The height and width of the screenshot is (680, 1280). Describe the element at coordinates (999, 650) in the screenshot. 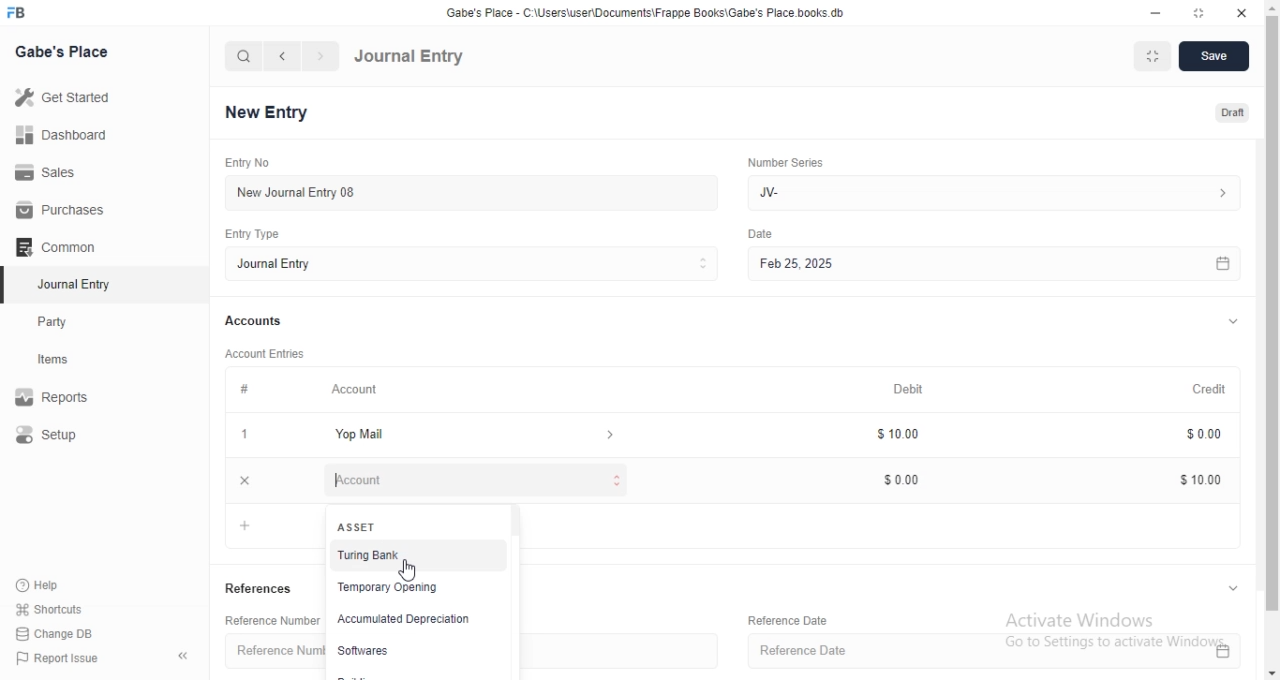

I see `Reference Date` at that location.